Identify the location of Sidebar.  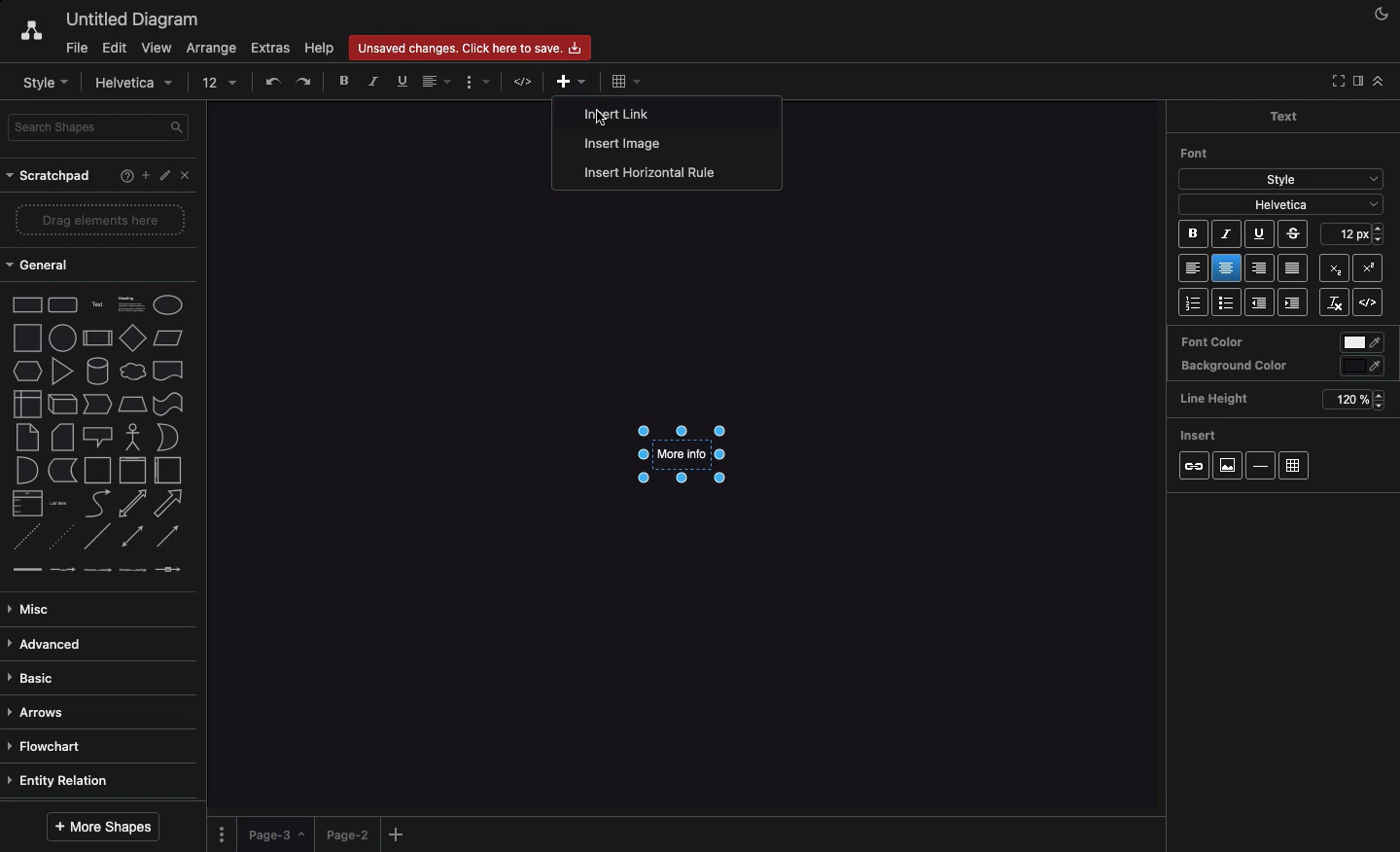
(1356, 82).